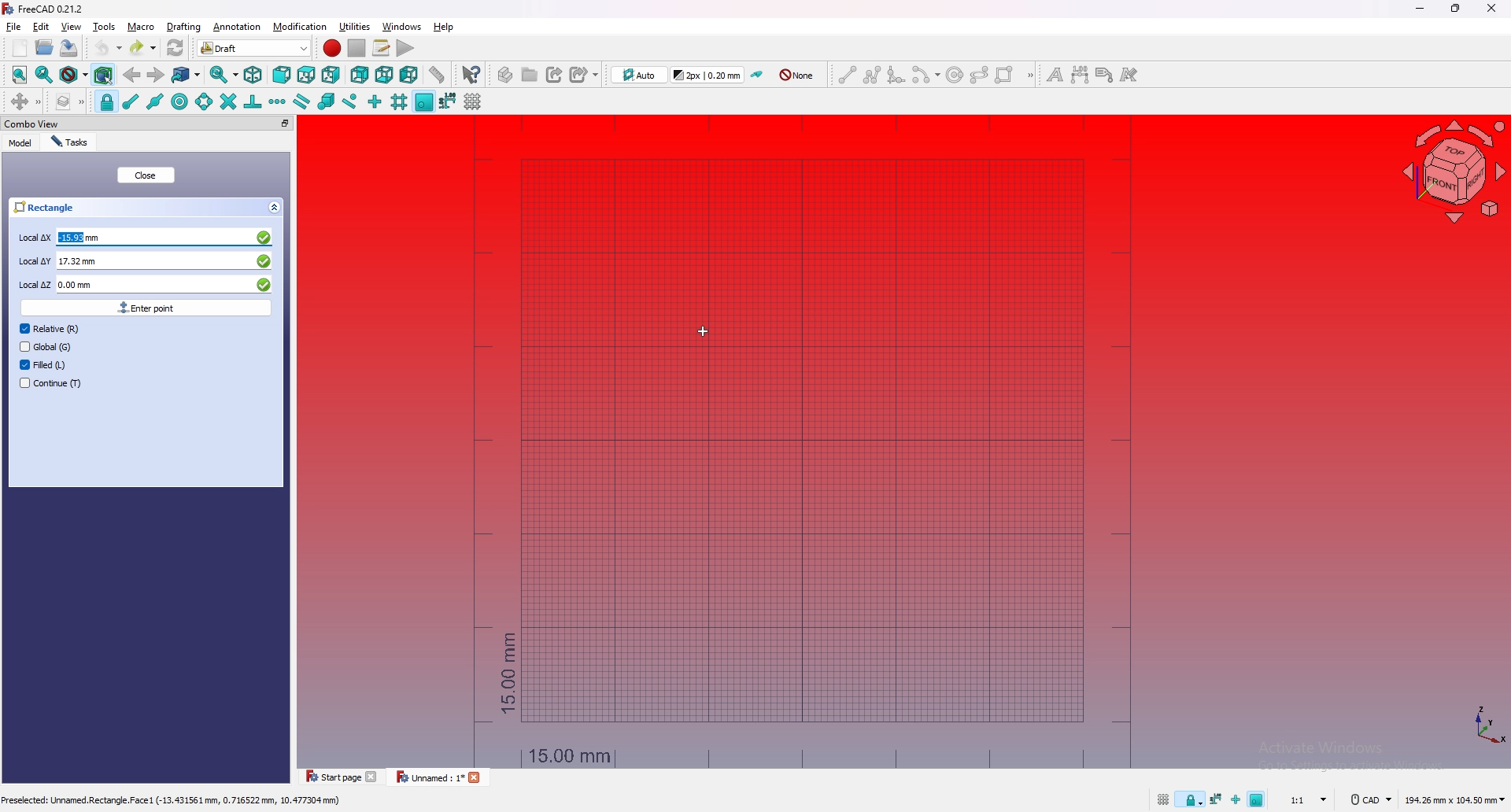  I want to click on draw style, so click(73, 76).